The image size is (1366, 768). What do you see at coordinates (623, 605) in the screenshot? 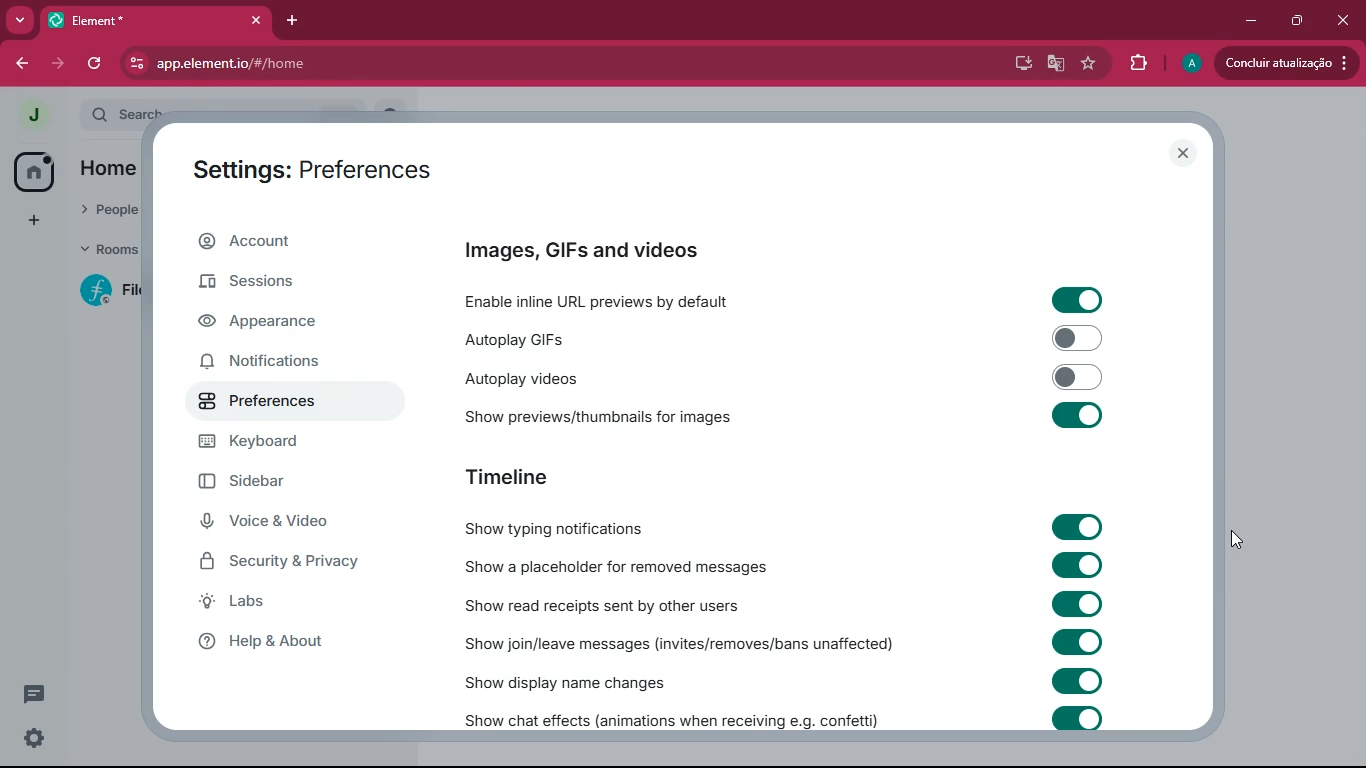
I see `show read receipts sent by other users` at bounding box center [623, 605].